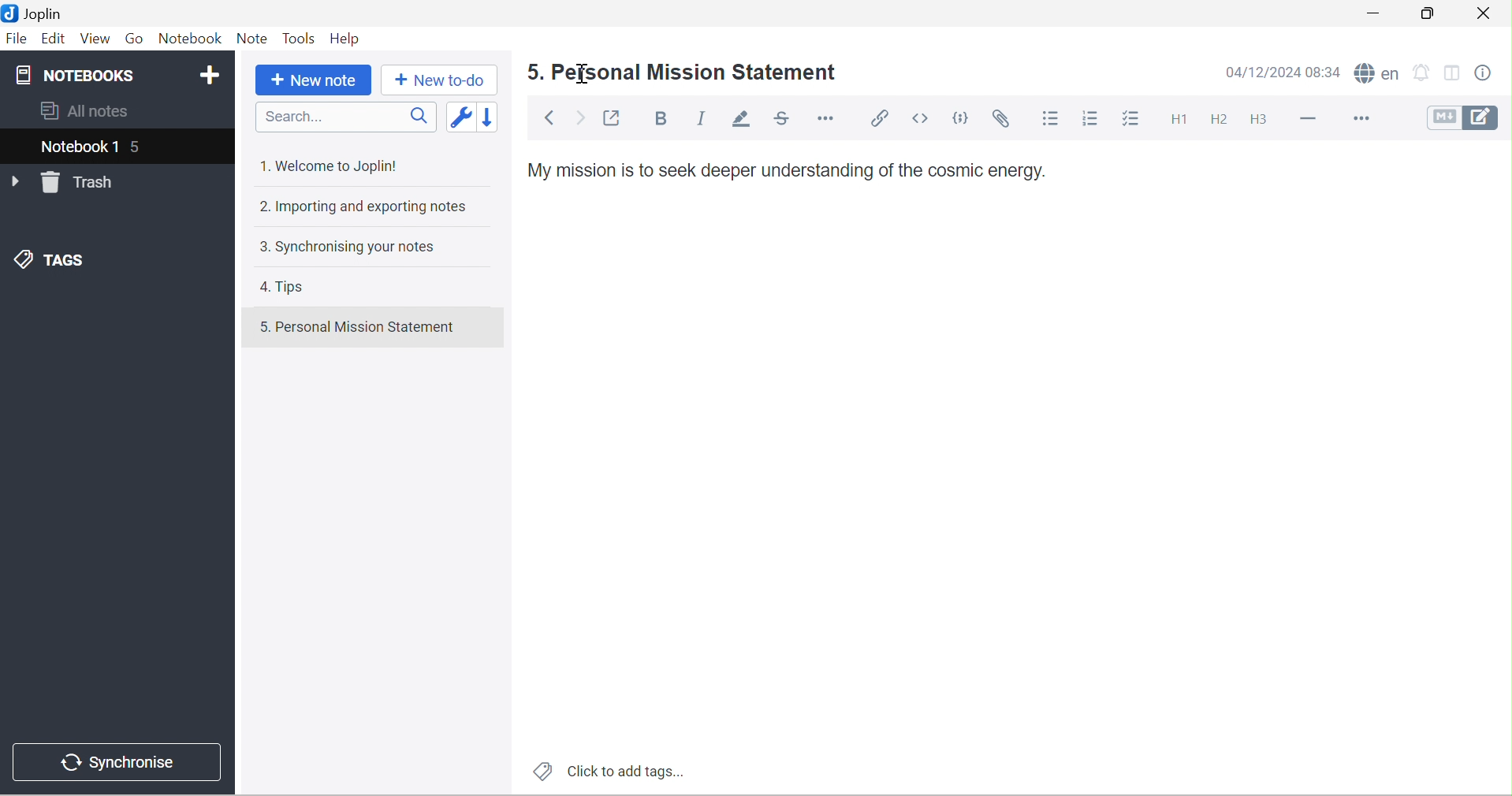  I want to click on Help, so click(346, 39).